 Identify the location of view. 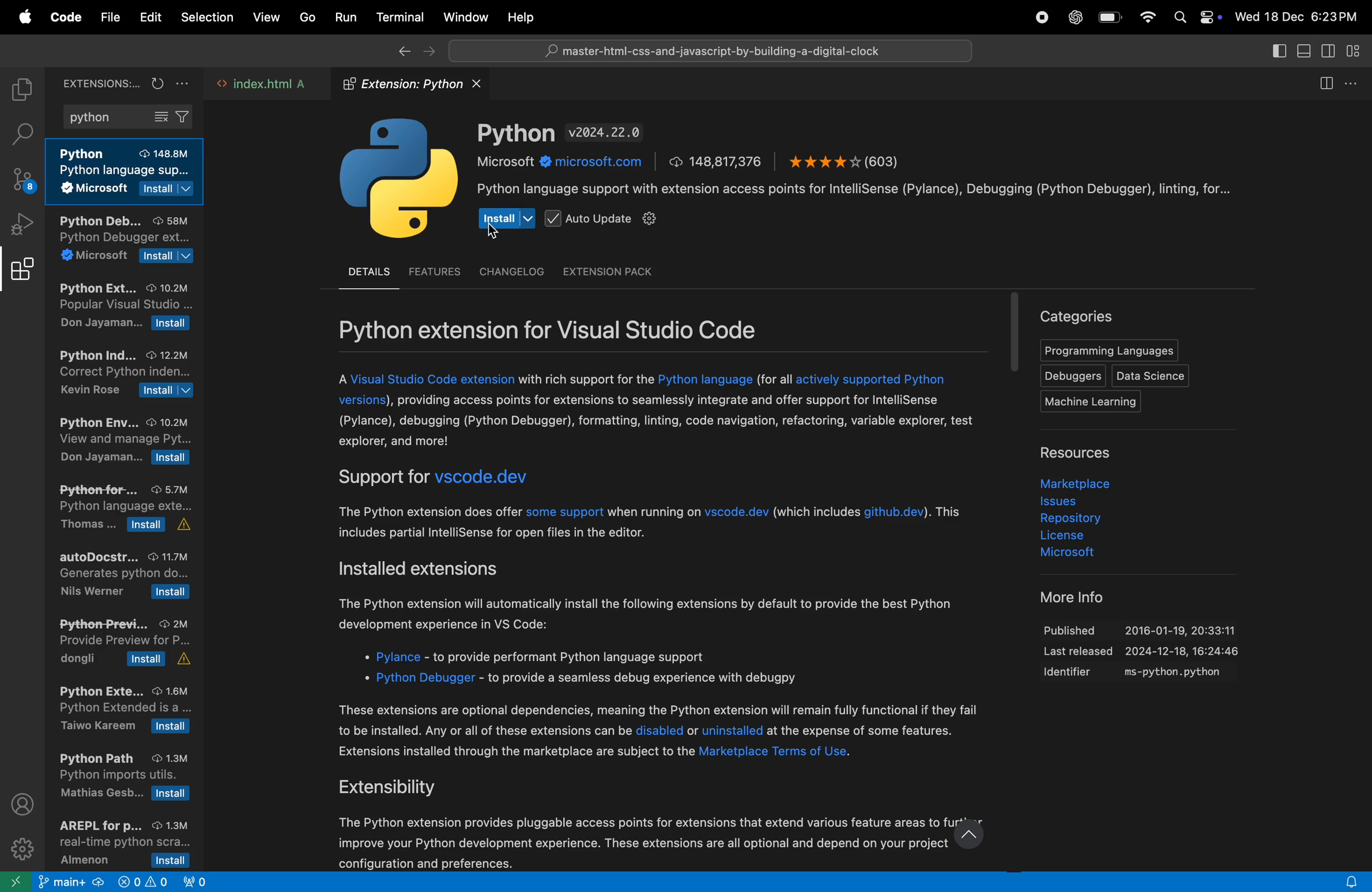
(263, 18).